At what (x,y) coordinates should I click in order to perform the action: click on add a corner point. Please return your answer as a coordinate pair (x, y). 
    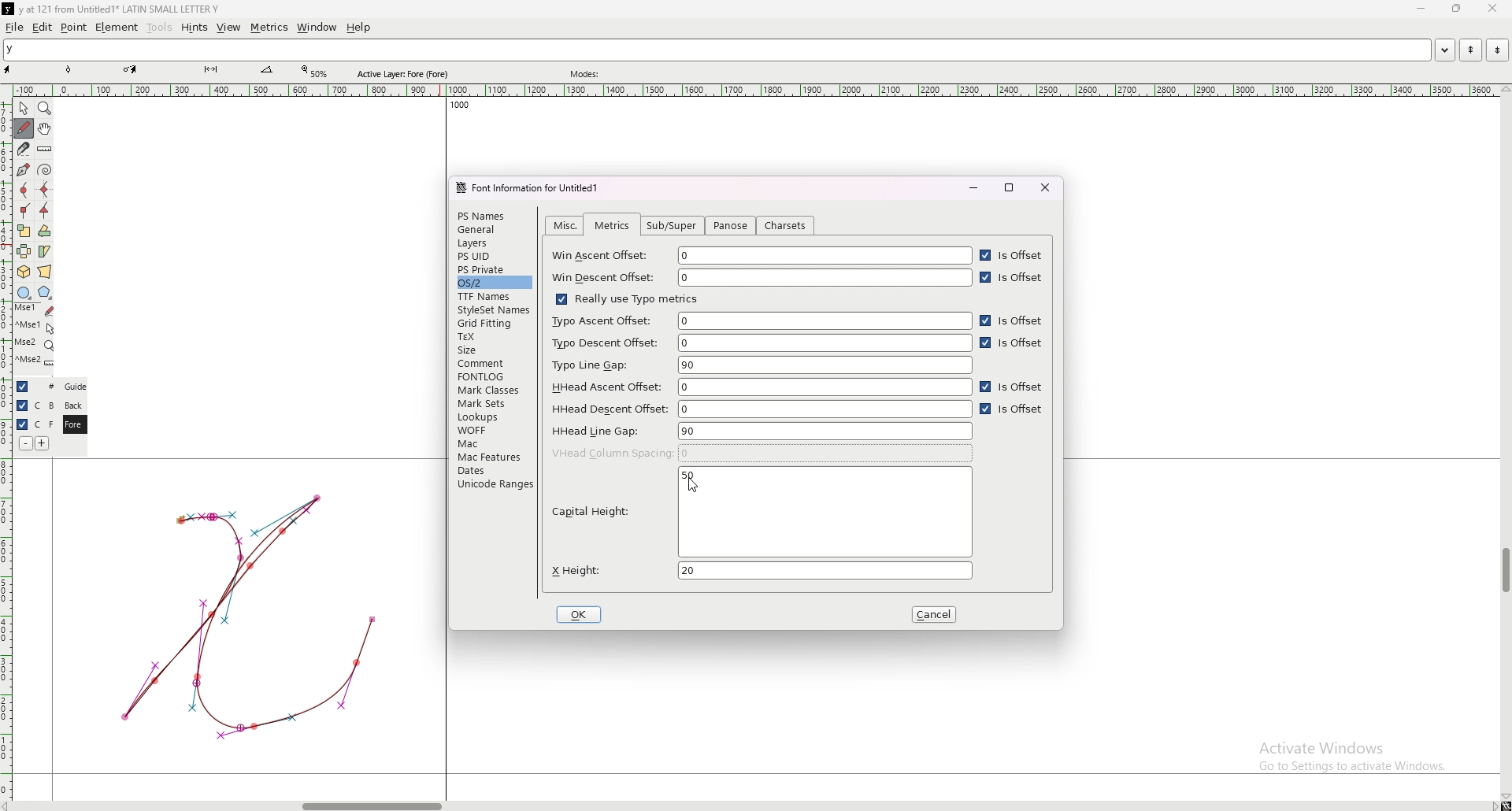
    Looking at the image, I should click on (24, 210).